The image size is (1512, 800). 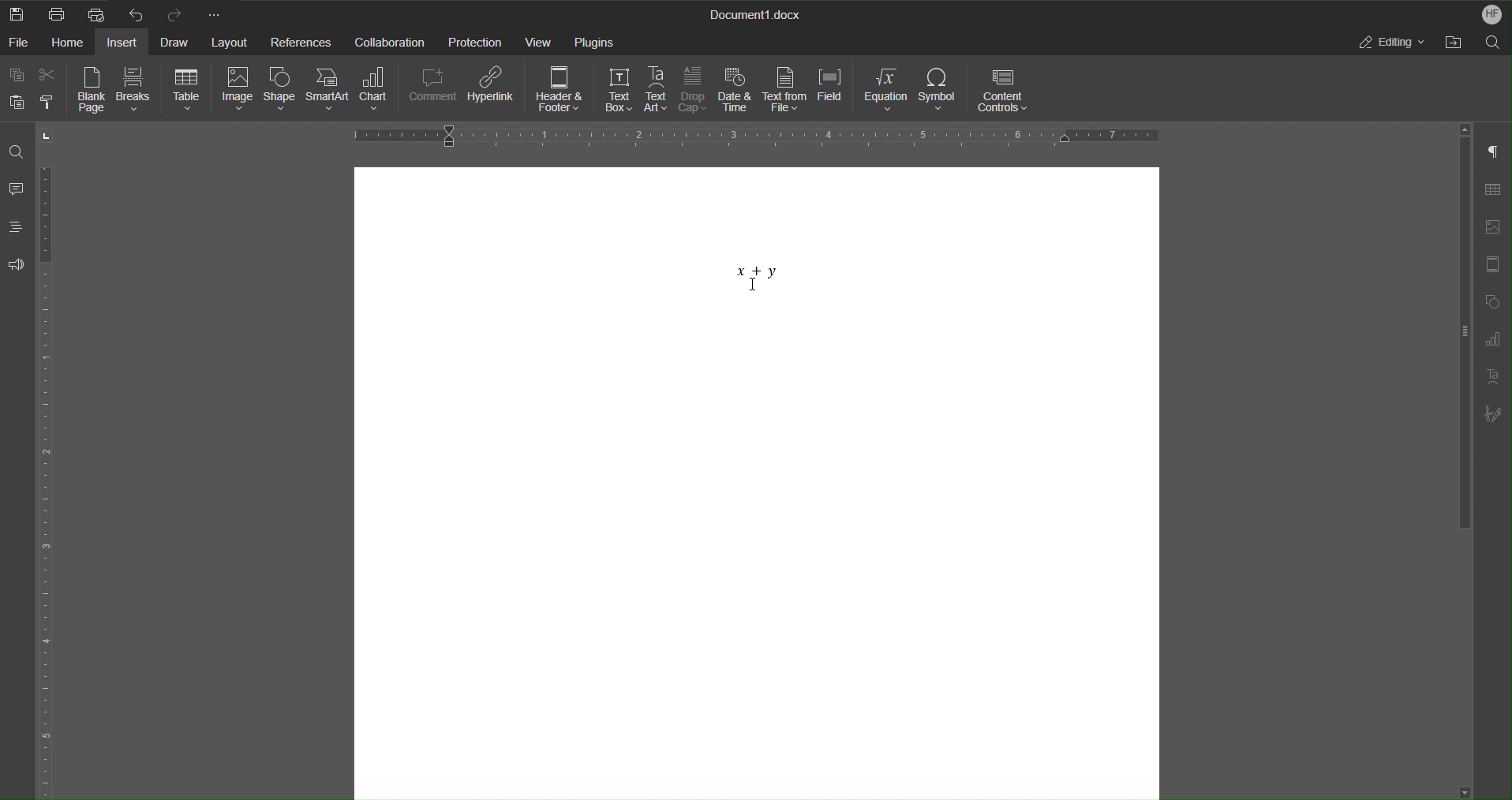 What do you see at coordinates (1493, 228) in the screenshot?
I see `Insert Image` at bounding box center [1493, 228].